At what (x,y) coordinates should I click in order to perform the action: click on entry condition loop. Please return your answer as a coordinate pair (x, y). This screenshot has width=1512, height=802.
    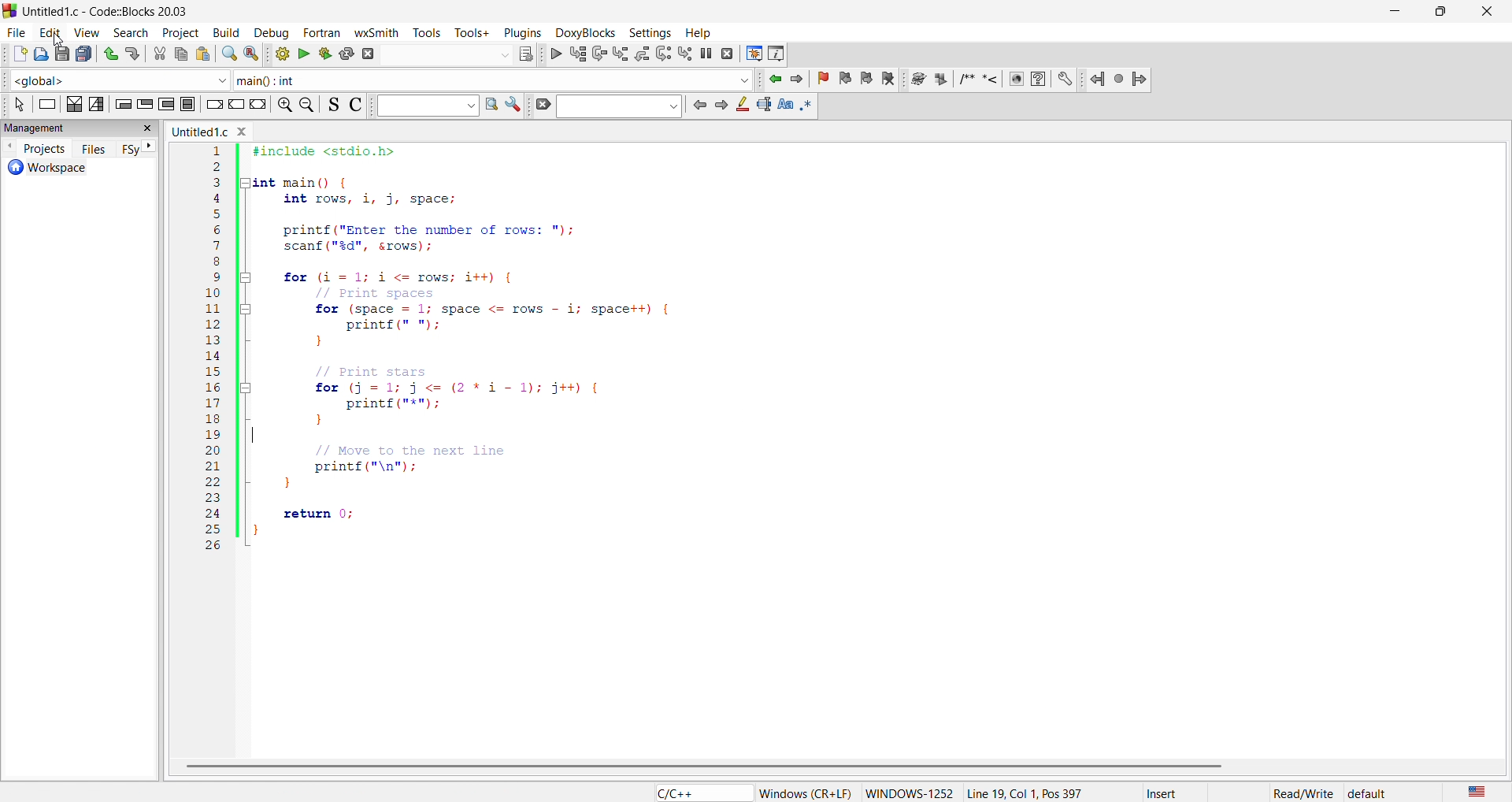
    Looking at the image, I should click on (122, 103).